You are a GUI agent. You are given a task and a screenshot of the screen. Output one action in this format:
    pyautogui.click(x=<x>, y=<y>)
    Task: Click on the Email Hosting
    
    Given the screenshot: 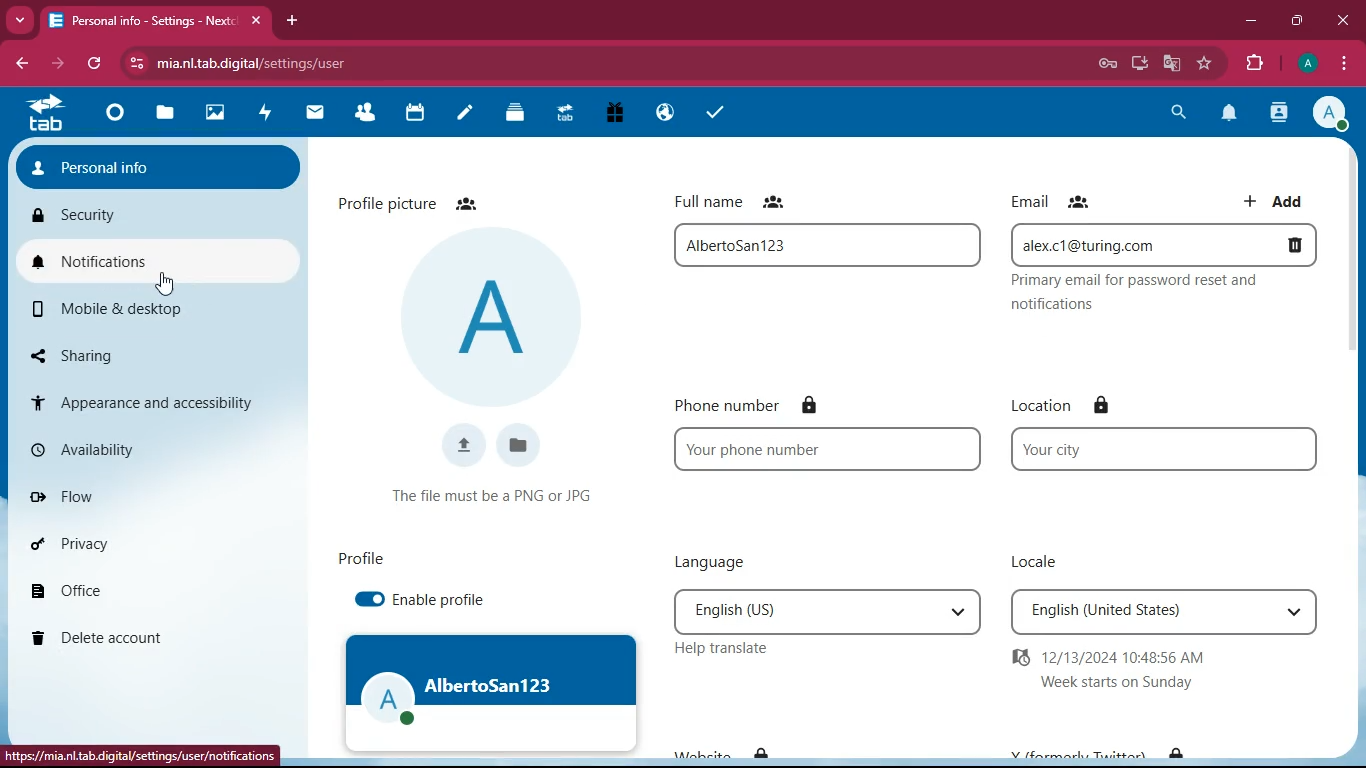 What is the action you would take?
    pyautogui.click(x=666, y=114)
    